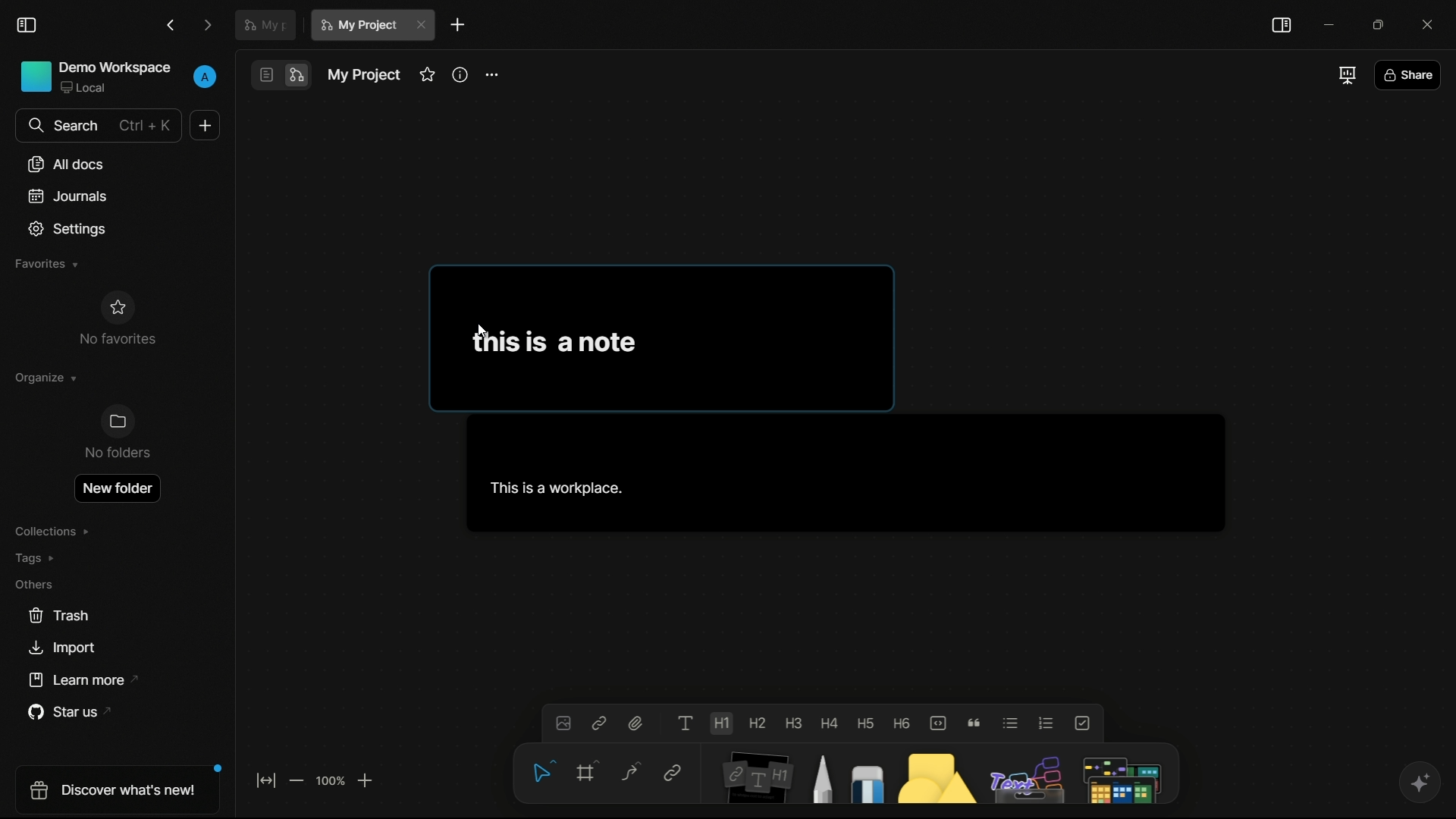 The image size is (1456, 819). I want to click on profile, so click(205, 77).